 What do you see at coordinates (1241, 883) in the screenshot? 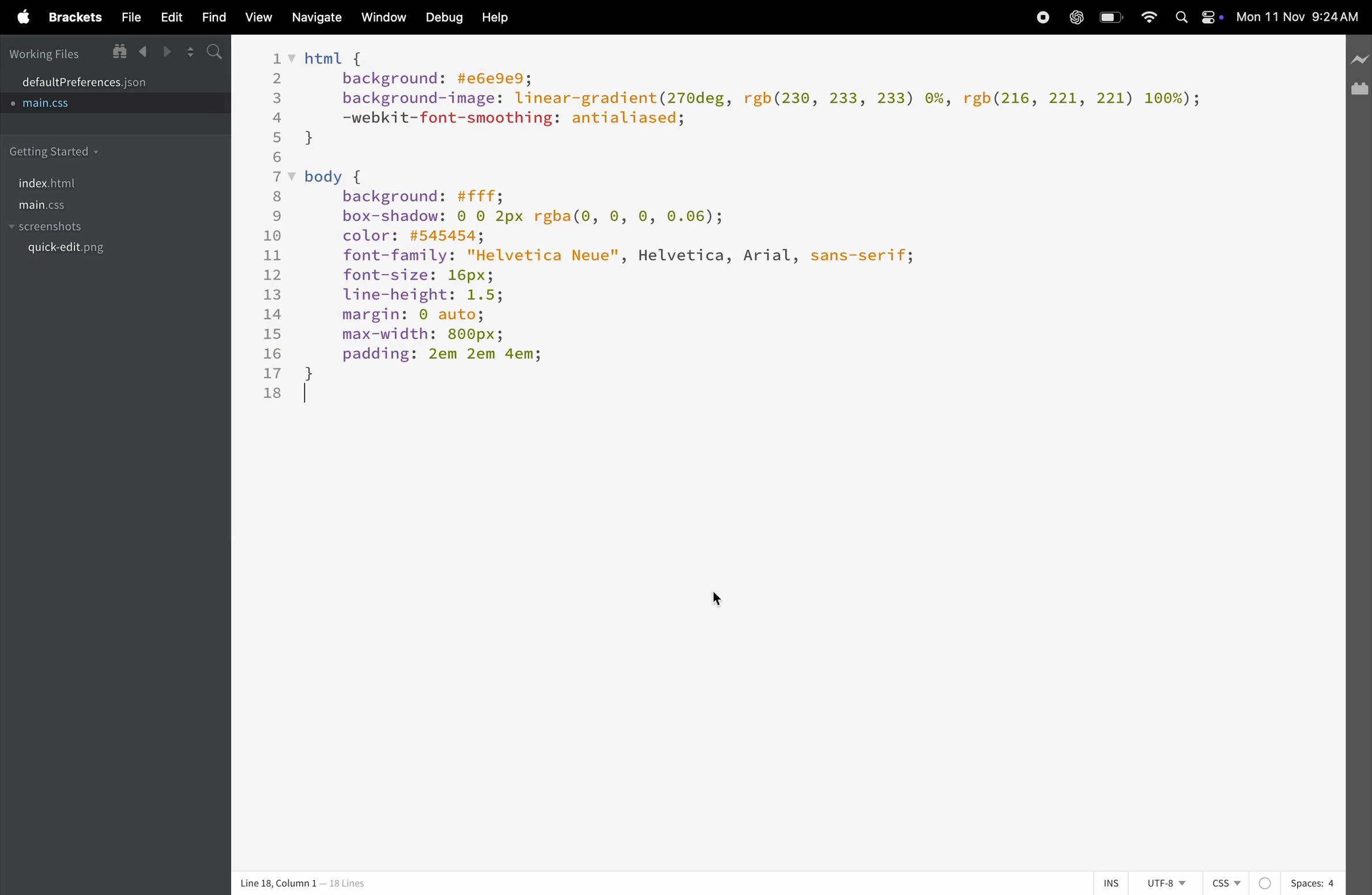
I see `css` at bounding box center [1241, 883].